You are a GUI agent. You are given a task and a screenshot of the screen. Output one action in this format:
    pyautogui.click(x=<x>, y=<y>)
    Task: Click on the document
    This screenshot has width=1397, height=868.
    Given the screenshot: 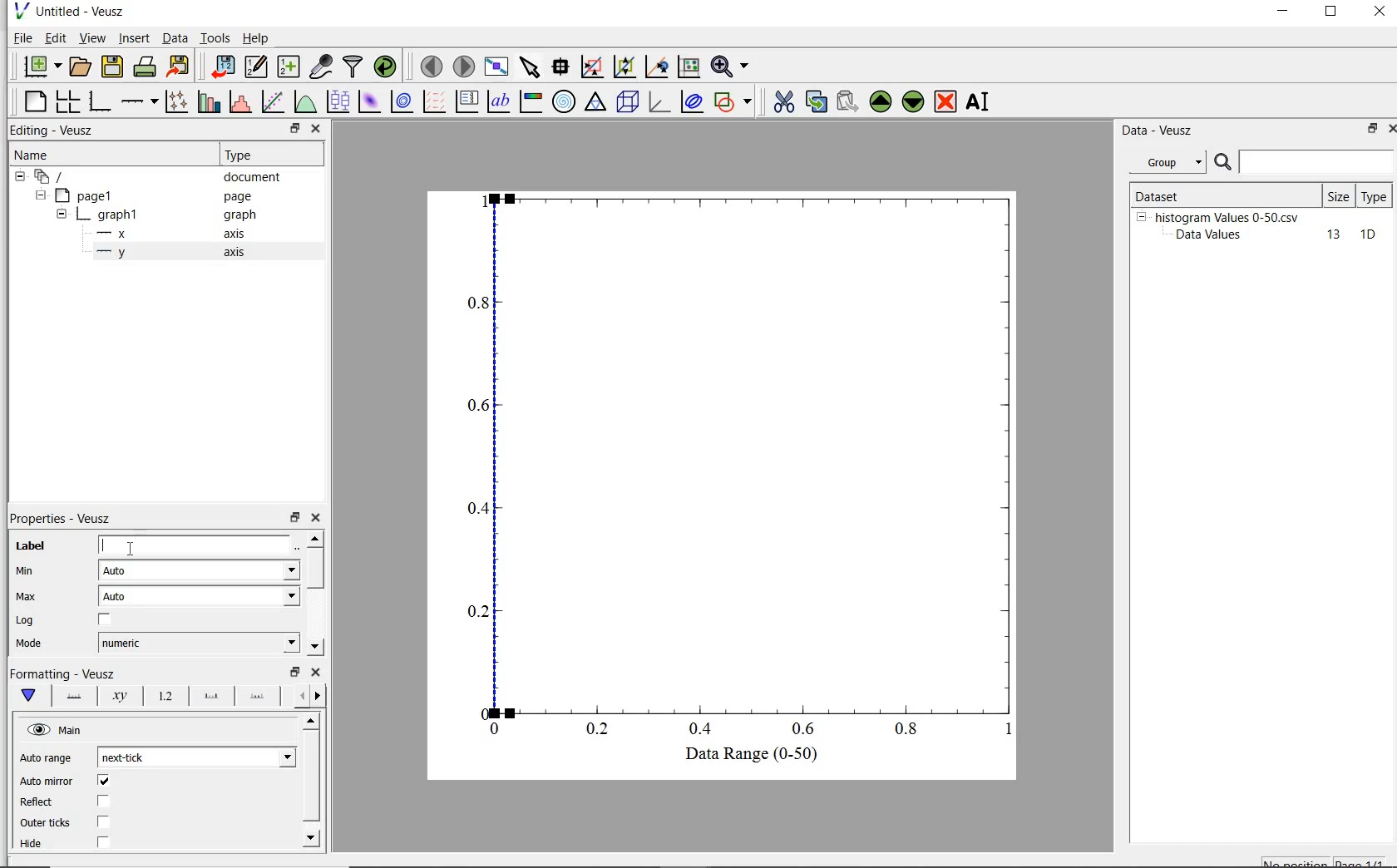 What is the action you would take?
    pyautogui.click(x=253, y=179)
    